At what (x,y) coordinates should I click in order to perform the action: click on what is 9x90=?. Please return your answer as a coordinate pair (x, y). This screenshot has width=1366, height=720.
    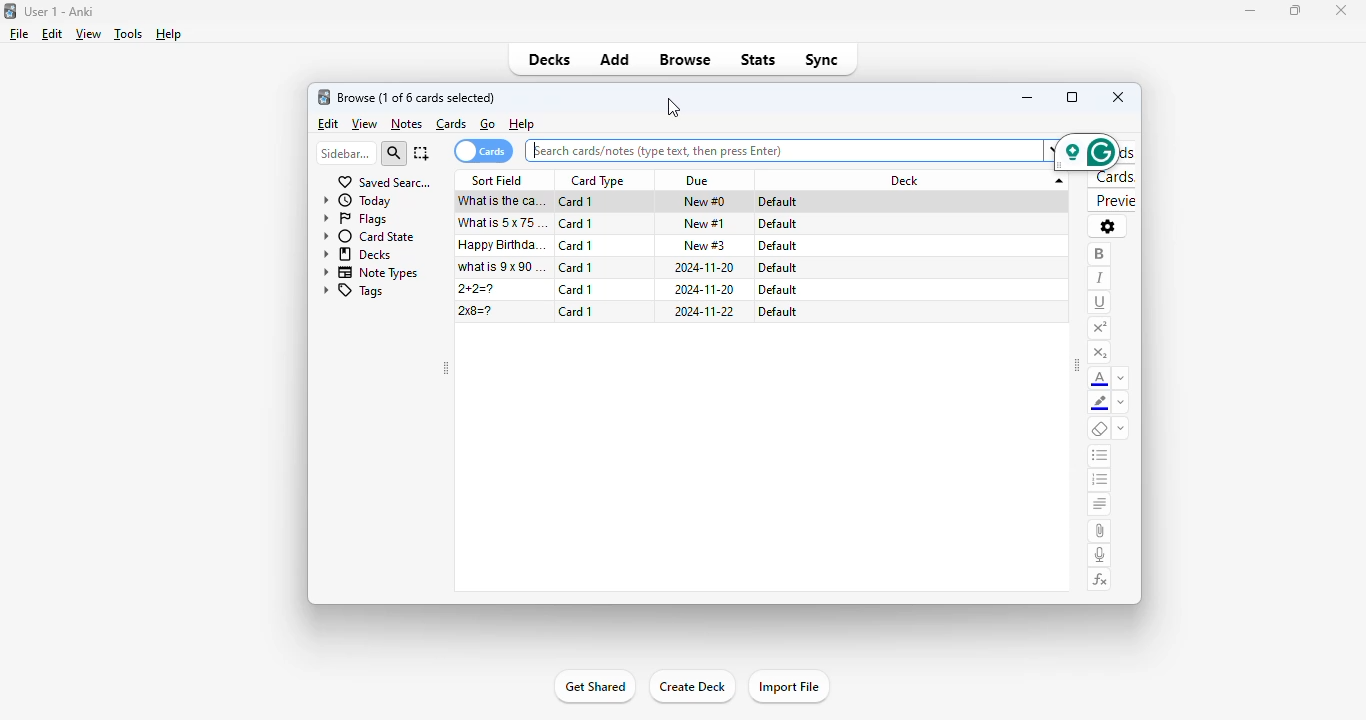
    Looking at the image, I should click on (502, 266).